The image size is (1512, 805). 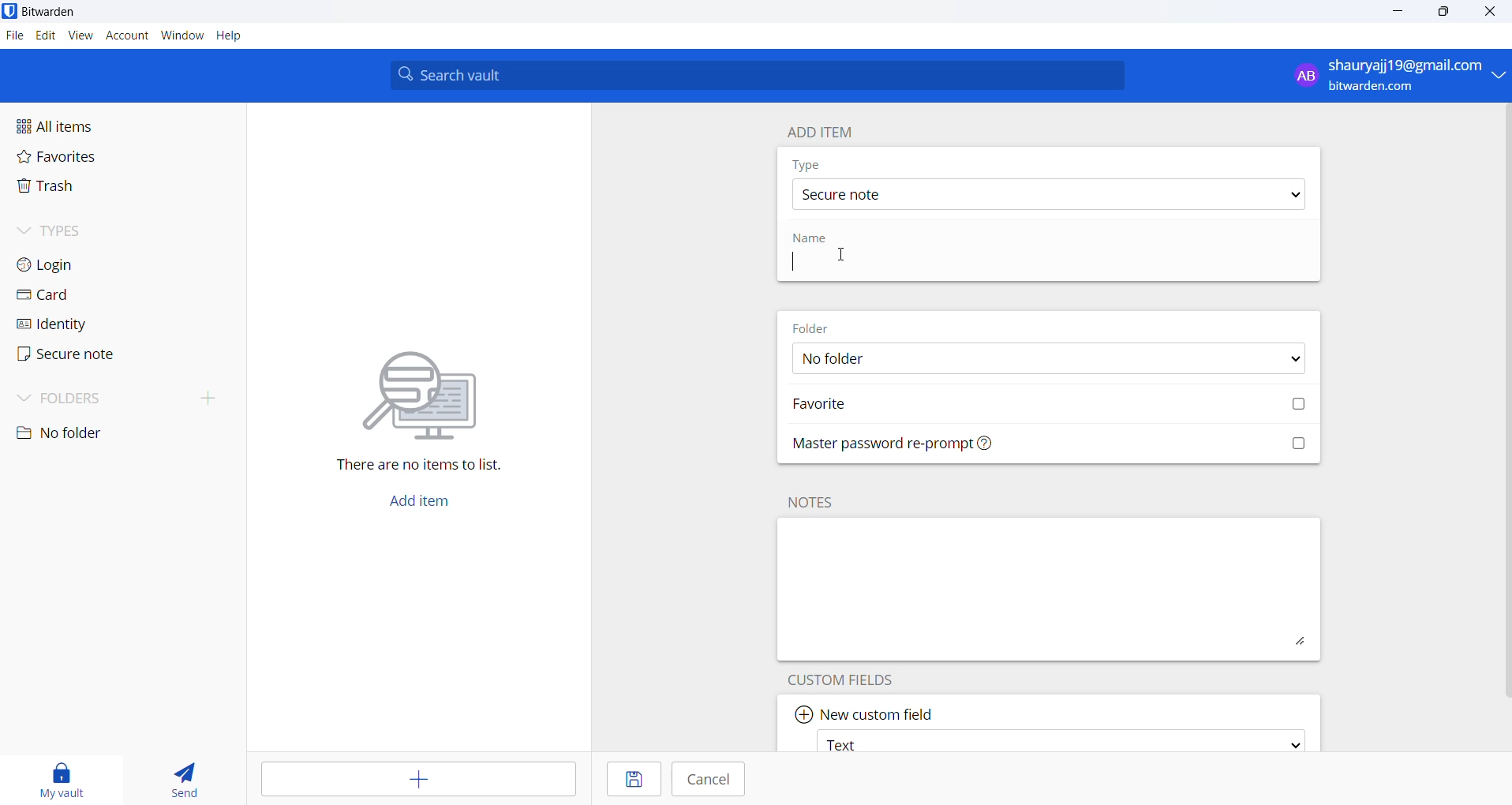 I want to click on add new field, so click(x=866, y=710).